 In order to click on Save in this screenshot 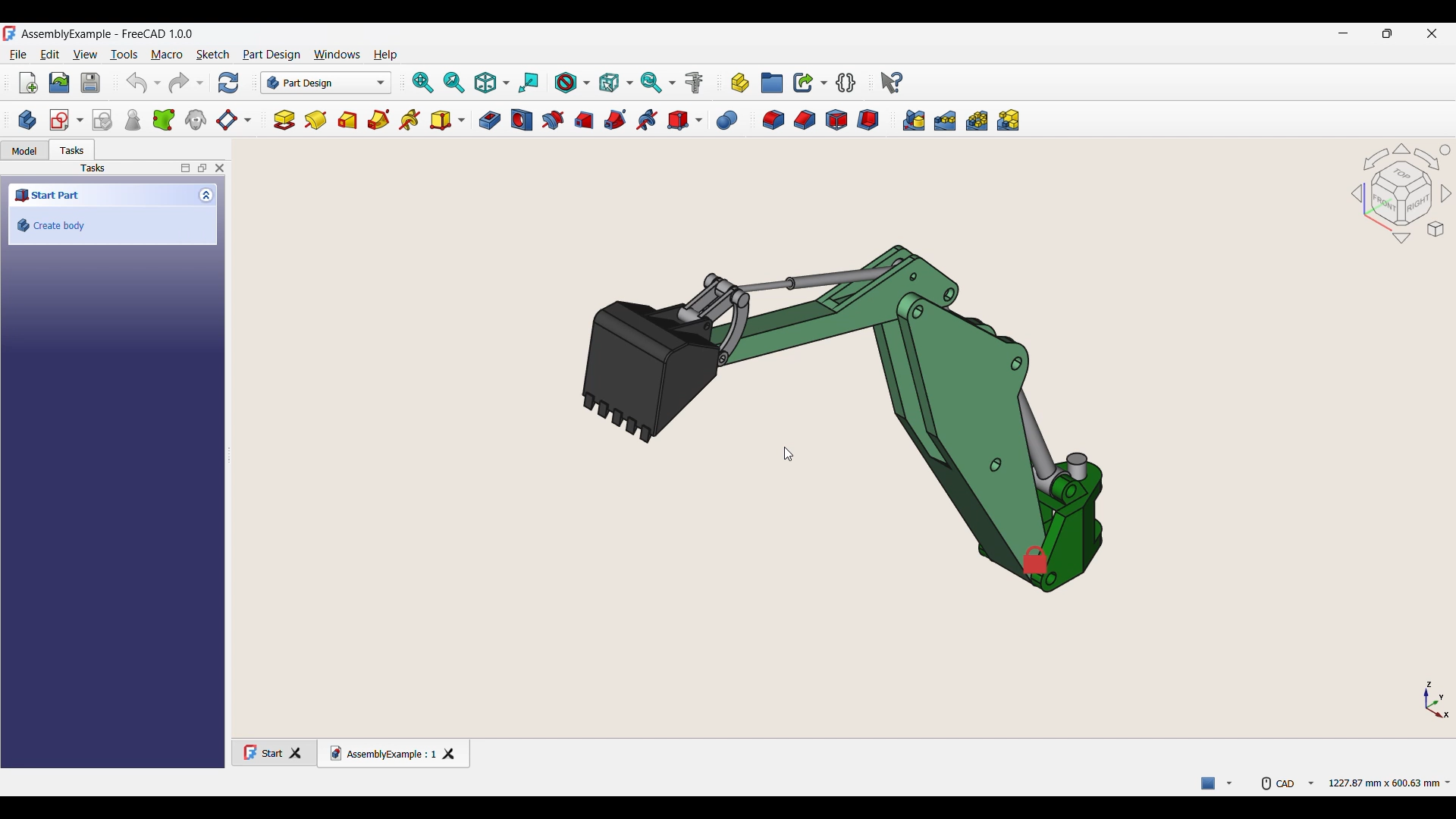, I will do `click(90, 83)`.